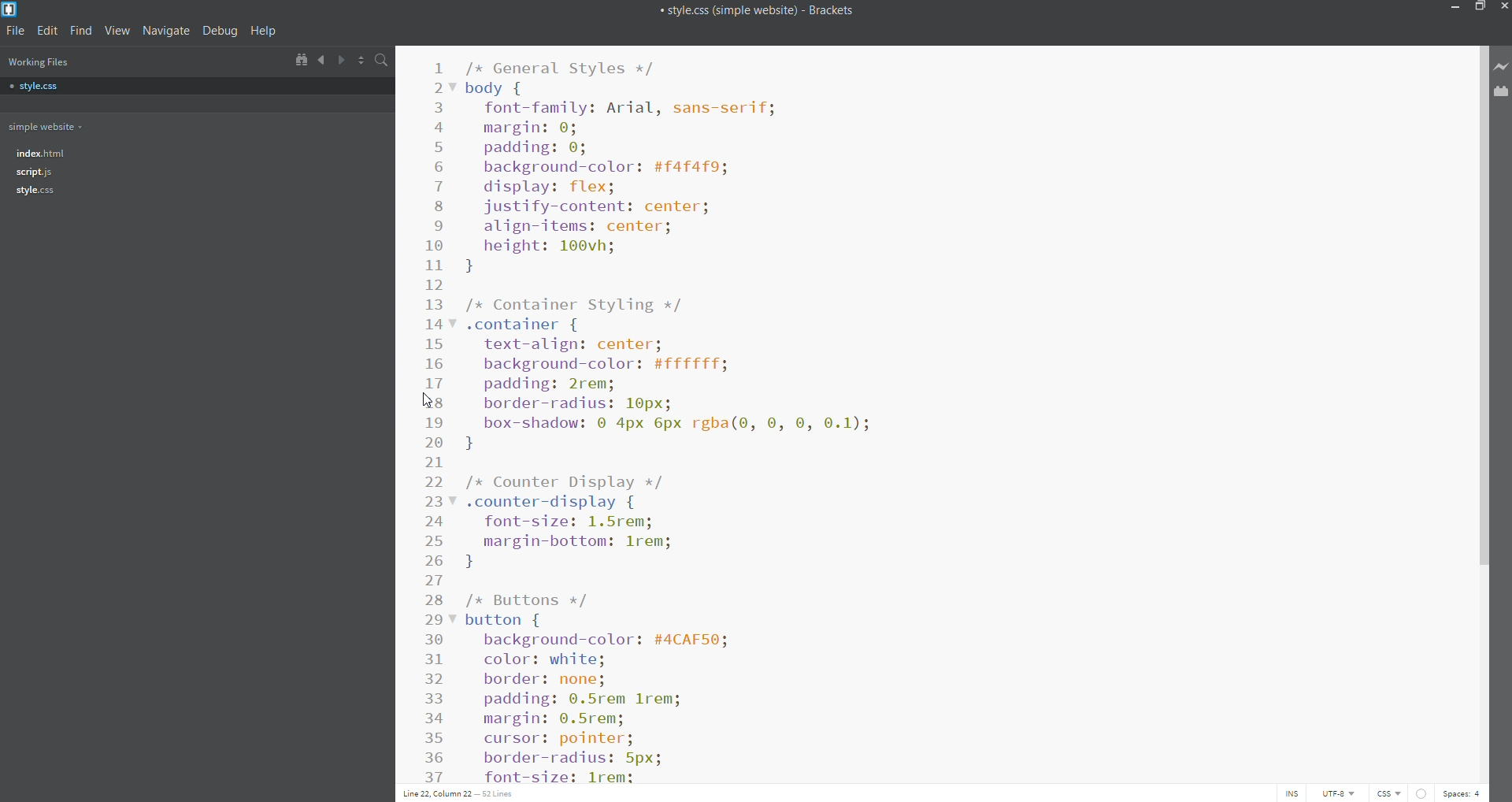 This screenshot has height=802, width=1512. I want to click on search, so click(384, 61).